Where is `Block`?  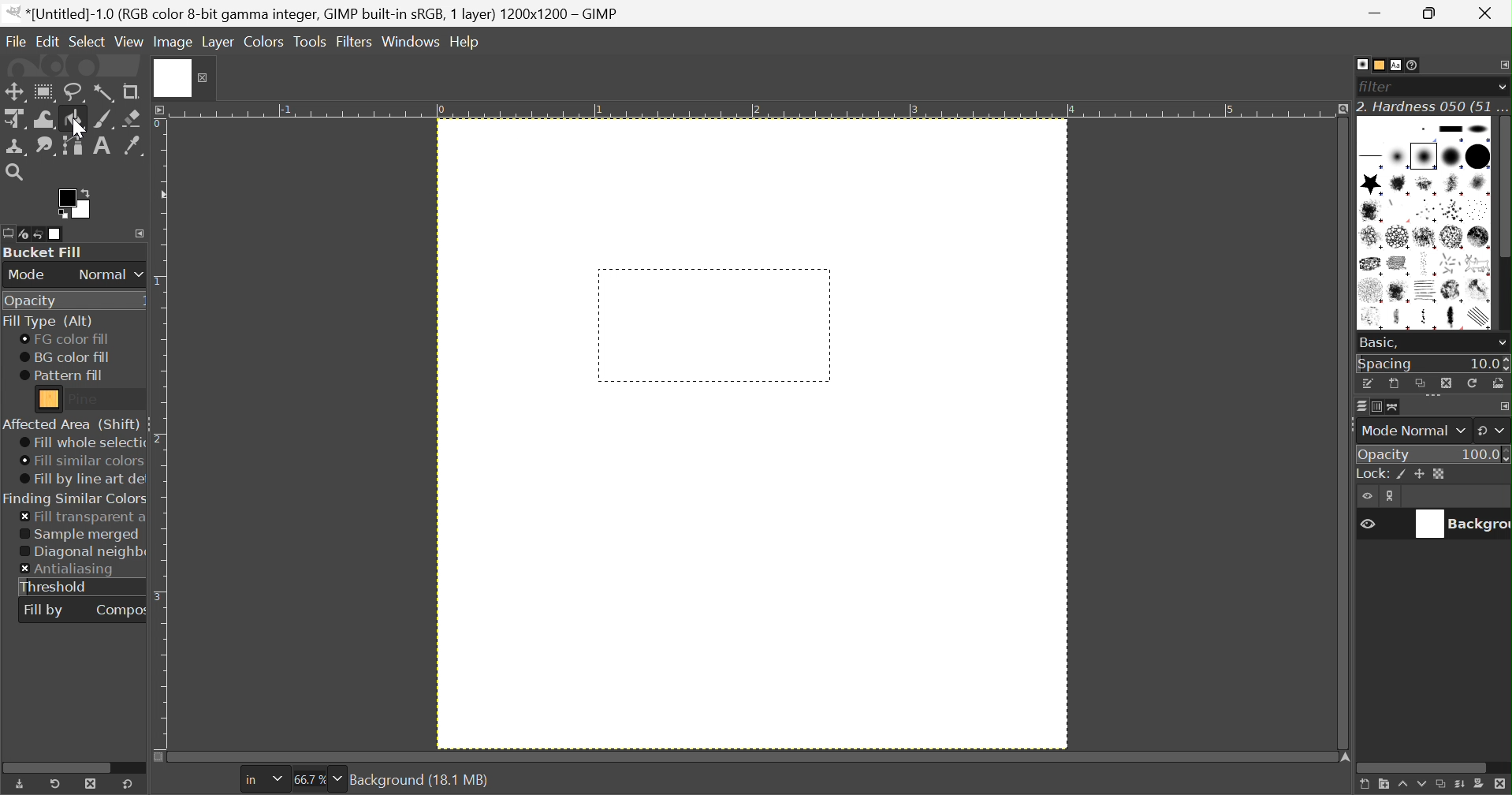 Block is located at coordinates (1372, 159).